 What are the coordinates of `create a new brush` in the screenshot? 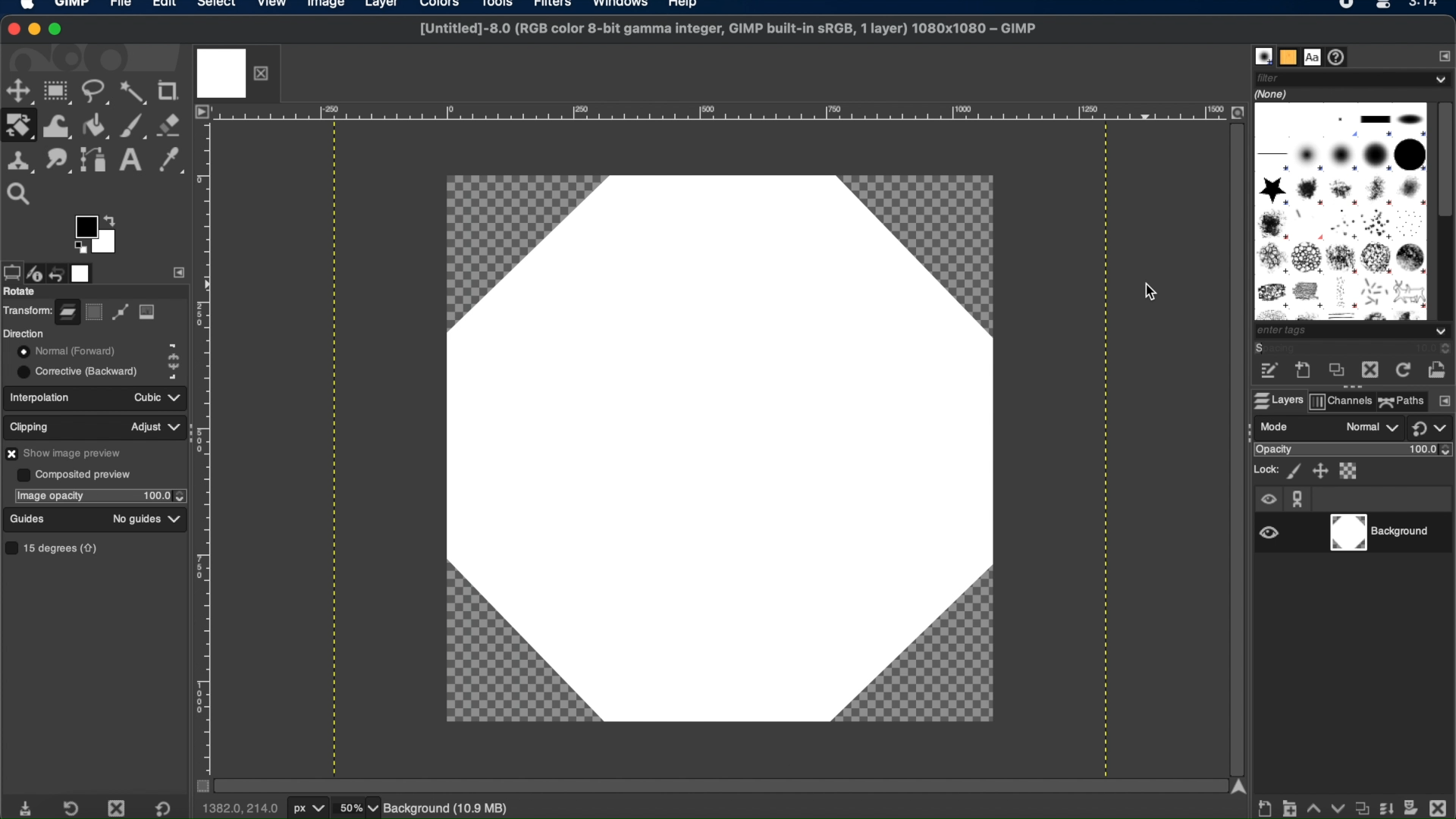 It's located at (1304, 372).